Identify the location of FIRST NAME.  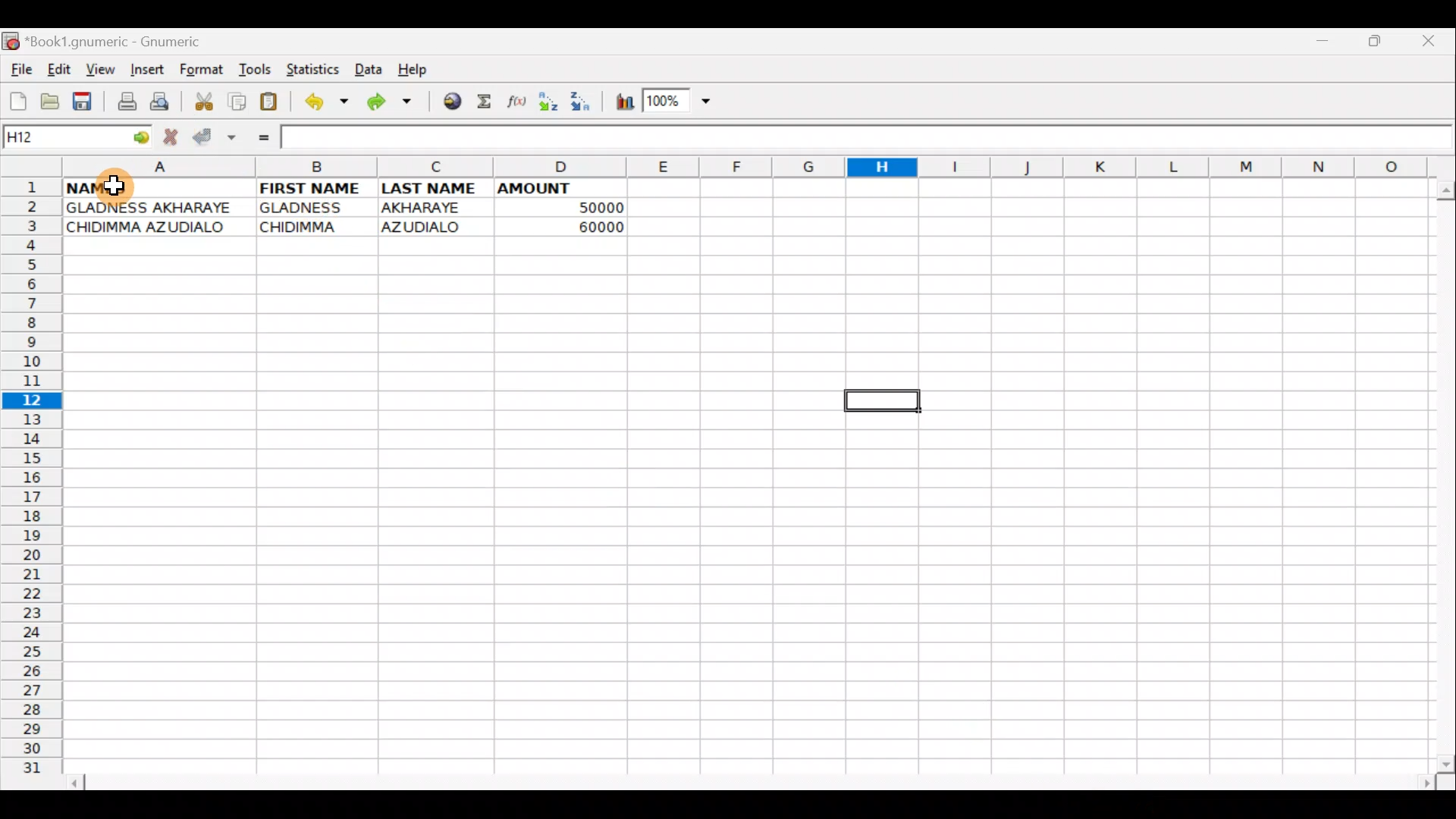
(312, 188).